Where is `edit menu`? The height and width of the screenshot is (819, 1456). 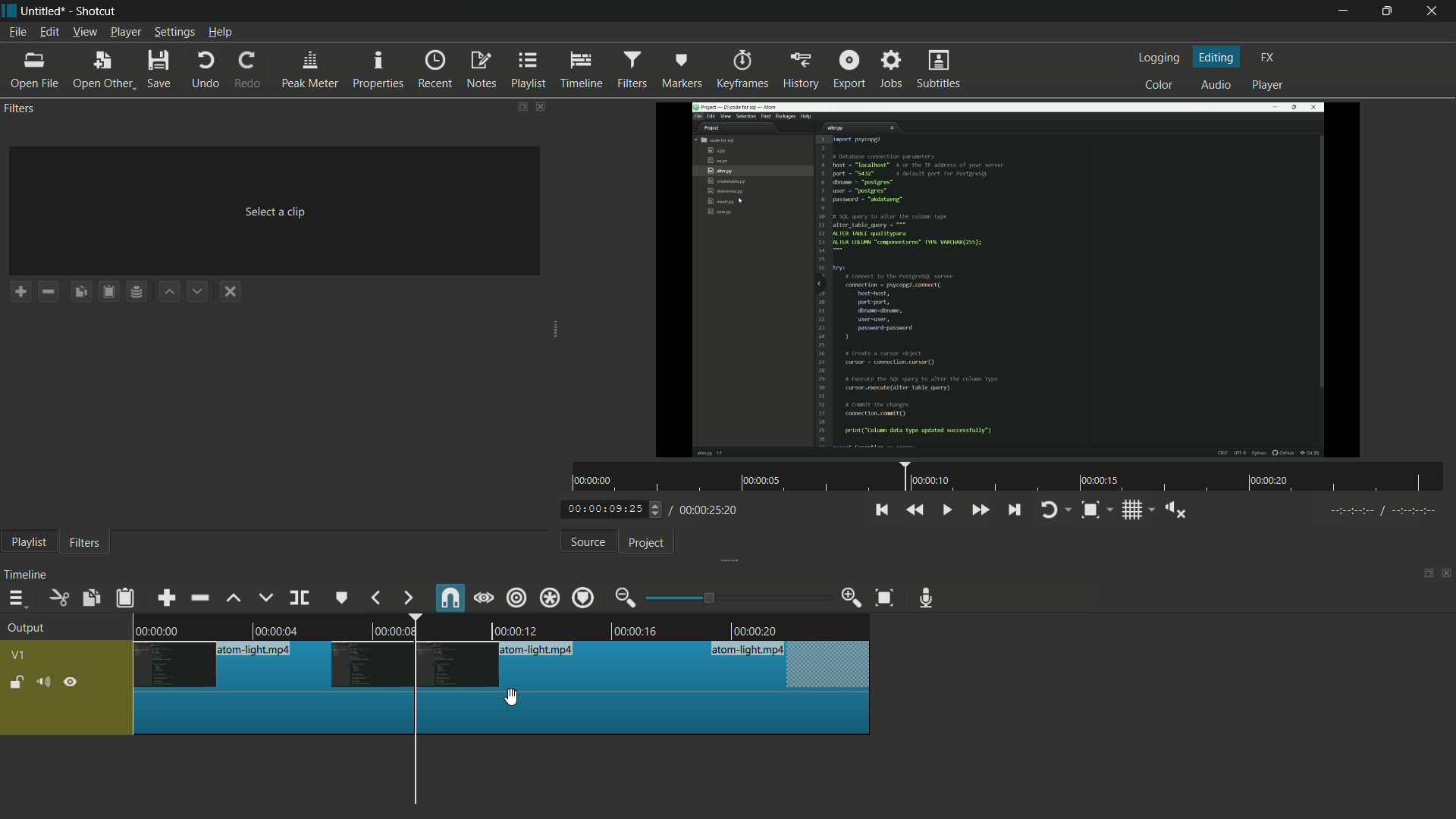 edit menu is located at coordinates (49, 33).